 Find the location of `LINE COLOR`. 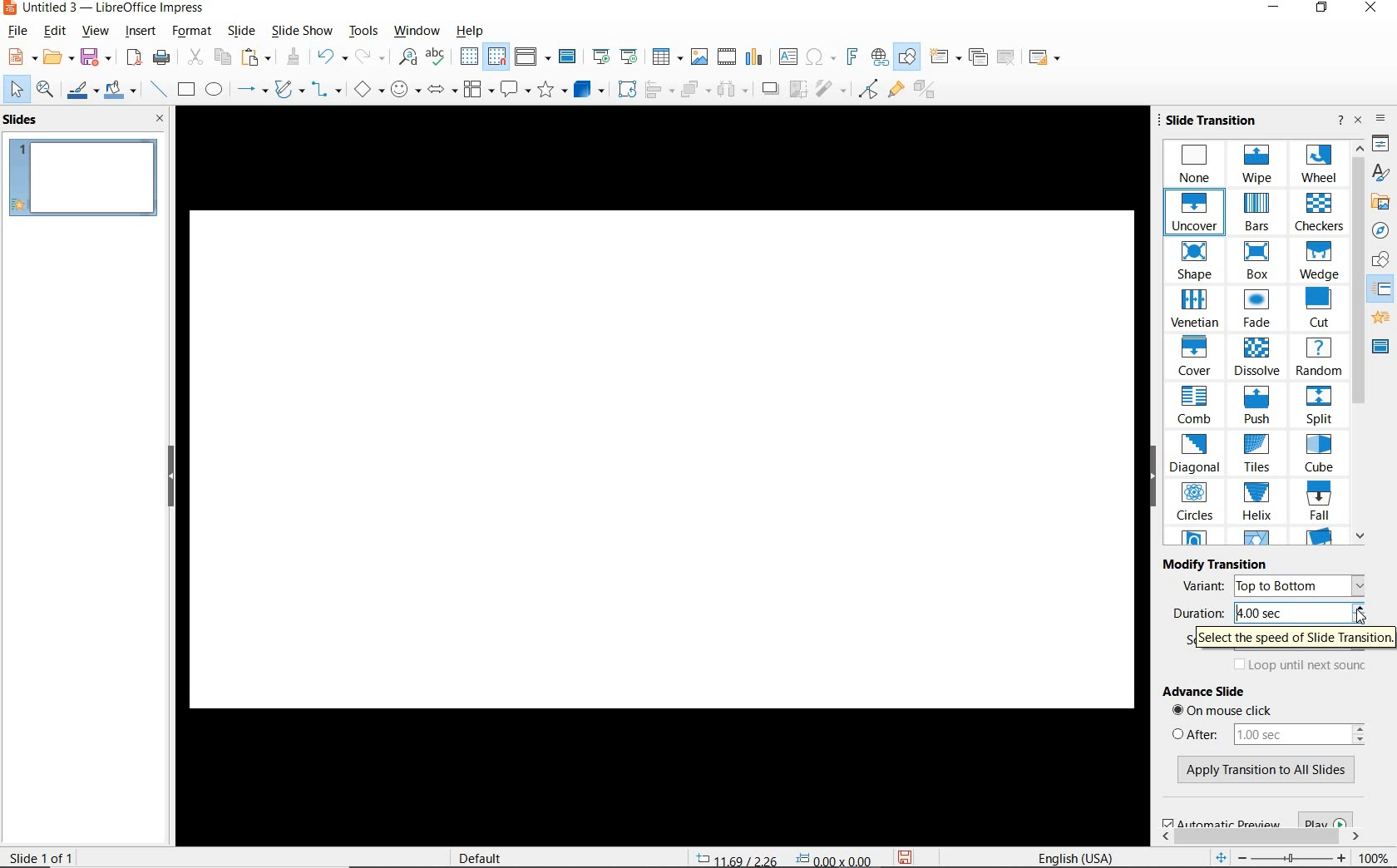

LINE COLOR is located at coordinates (83, 91).